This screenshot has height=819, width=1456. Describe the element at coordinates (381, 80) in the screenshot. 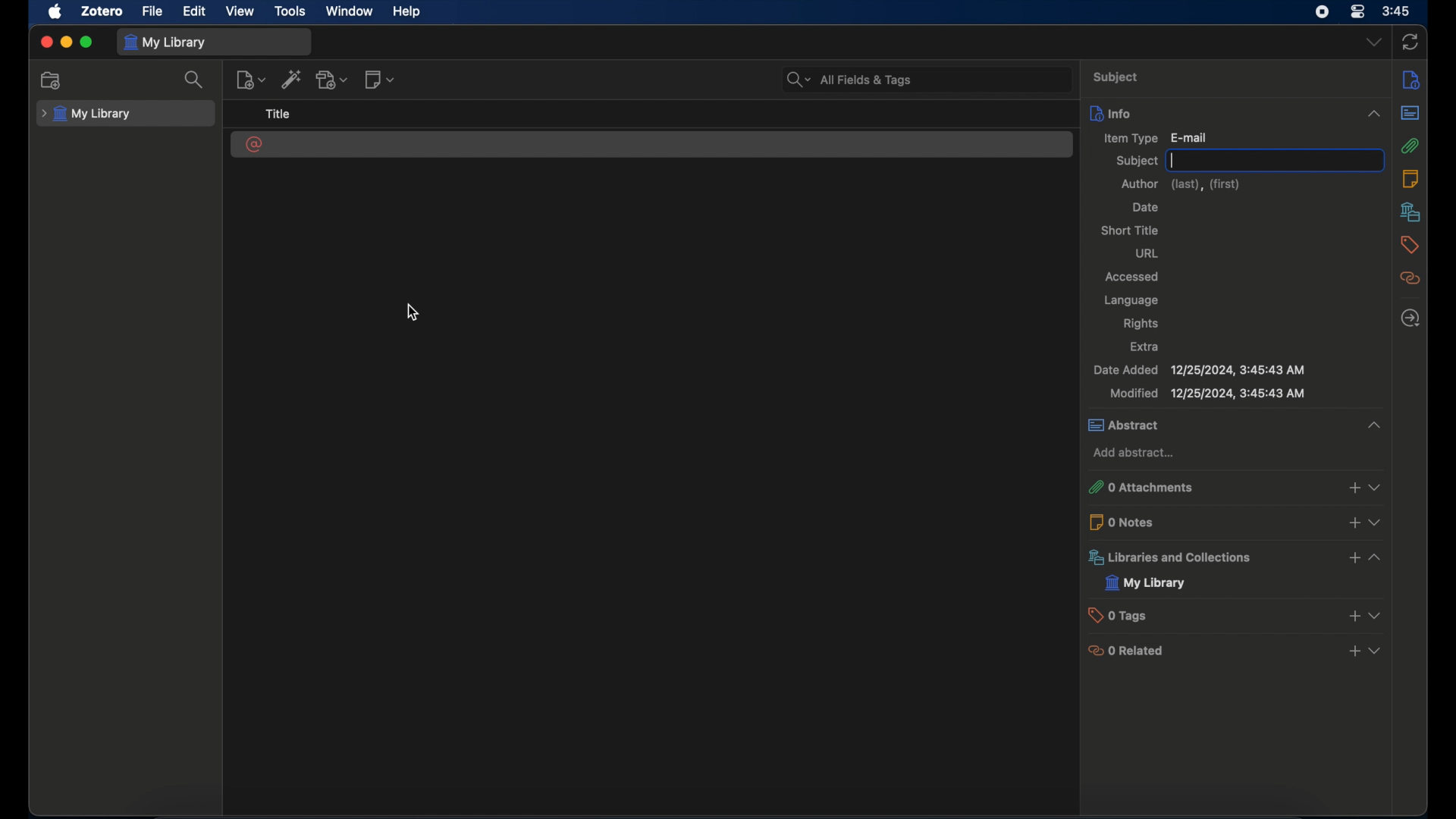

I see `new notes` at that location.